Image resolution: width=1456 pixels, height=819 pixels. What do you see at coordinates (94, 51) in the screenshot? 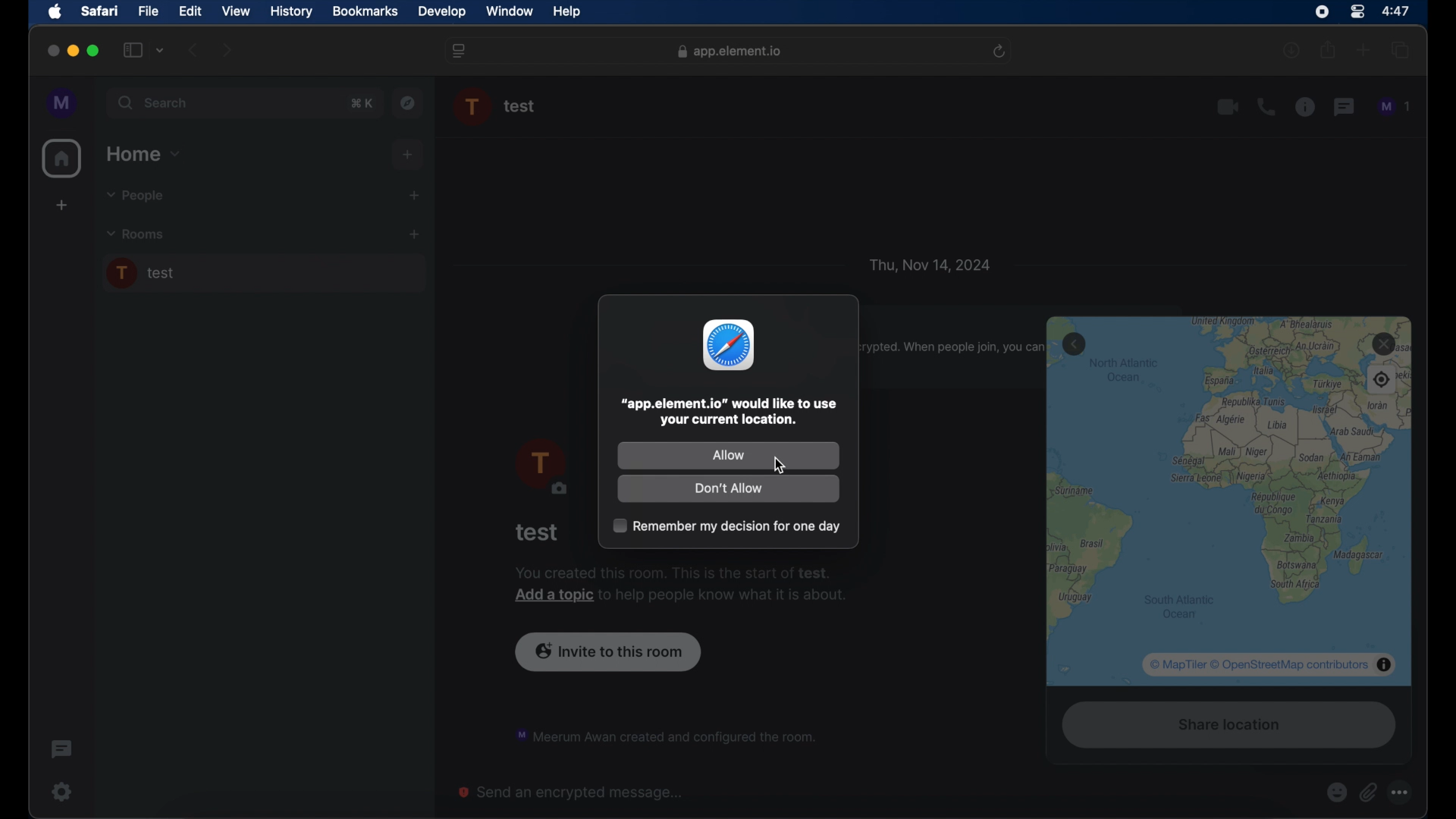
I see `maximize` at bounding box center [94, 51].